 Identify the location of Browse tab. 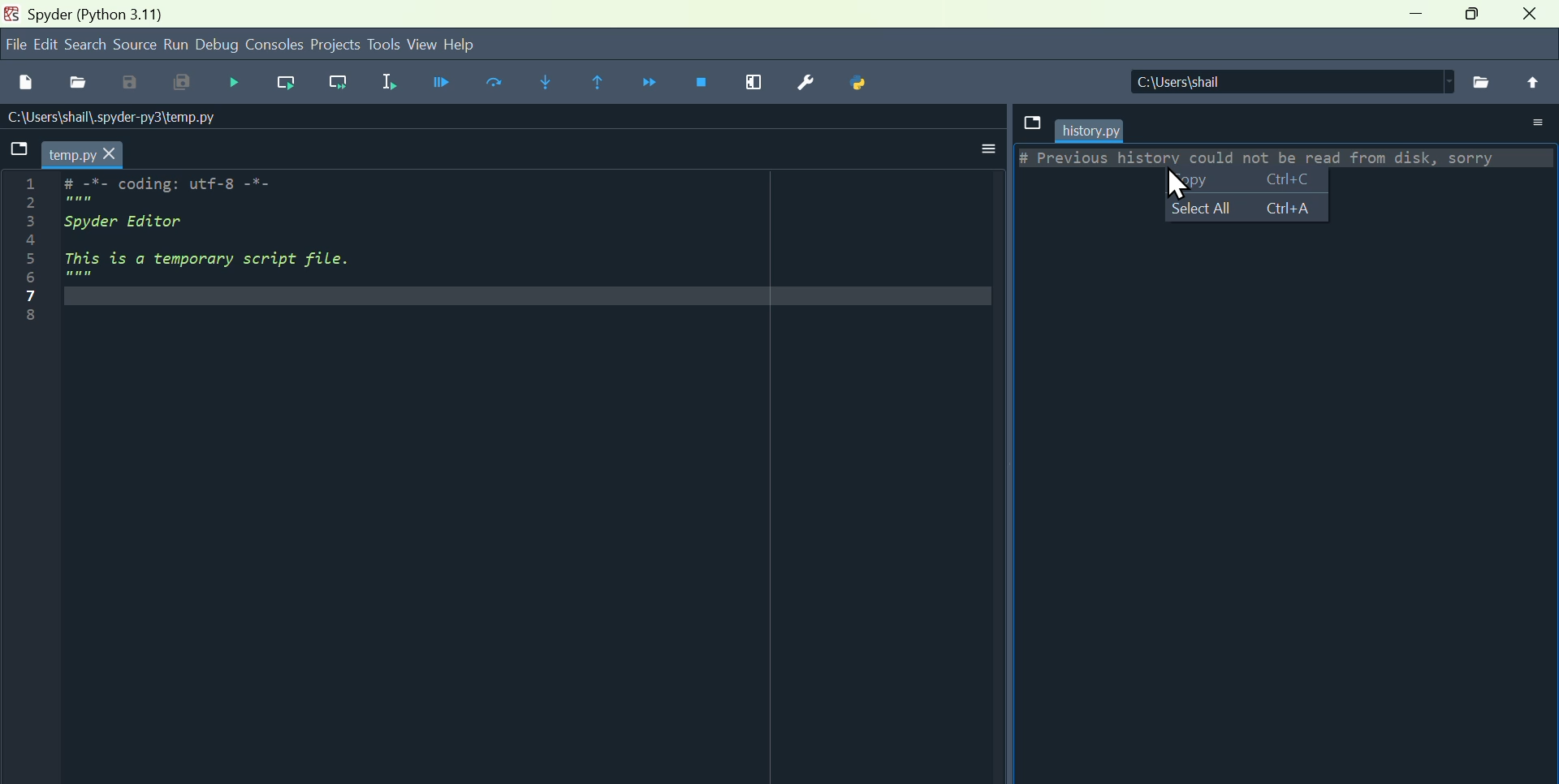
(1031, 123).